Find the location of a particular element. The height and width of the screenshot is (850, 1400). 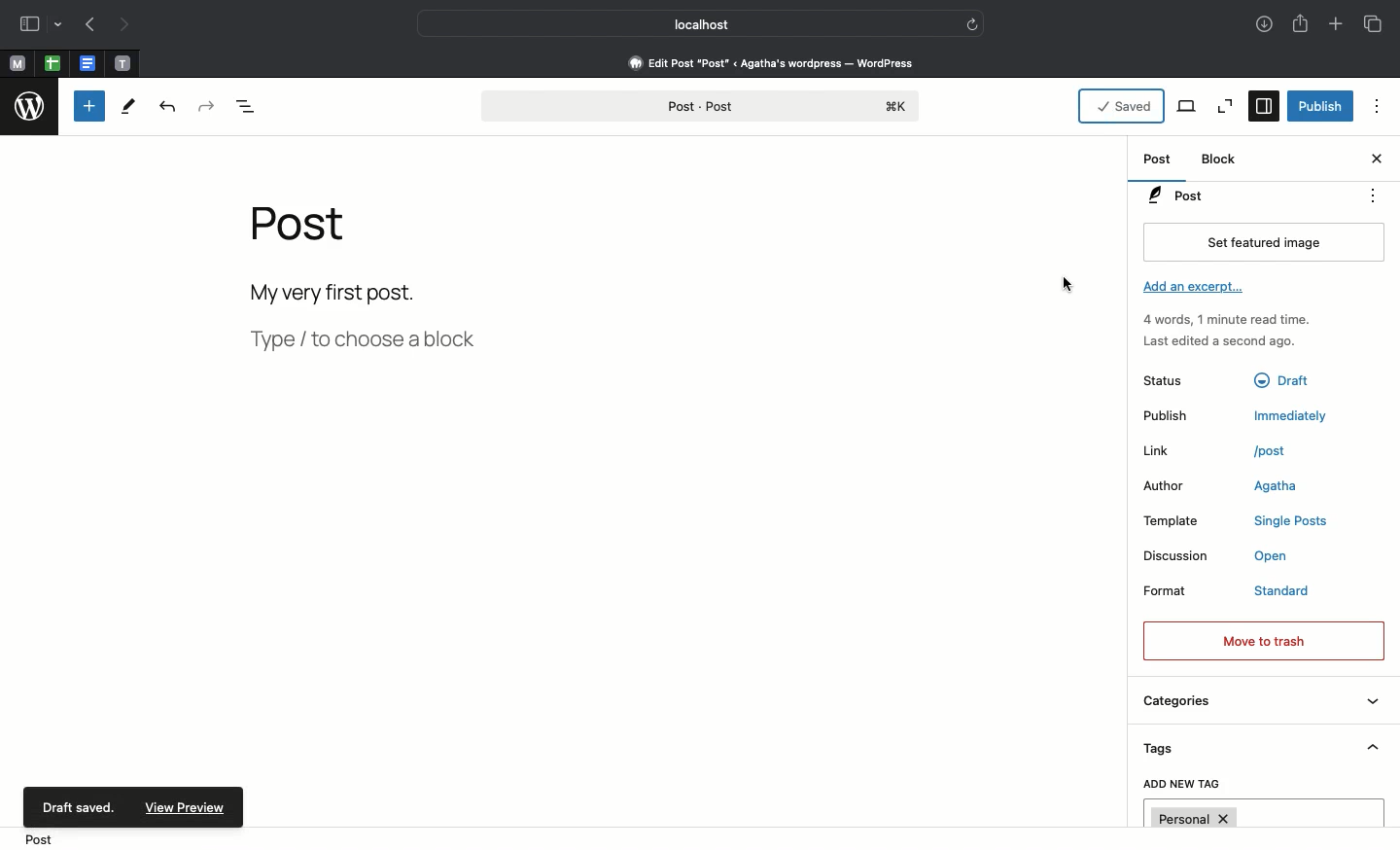

single posts is located at coordinates (1289, 521).